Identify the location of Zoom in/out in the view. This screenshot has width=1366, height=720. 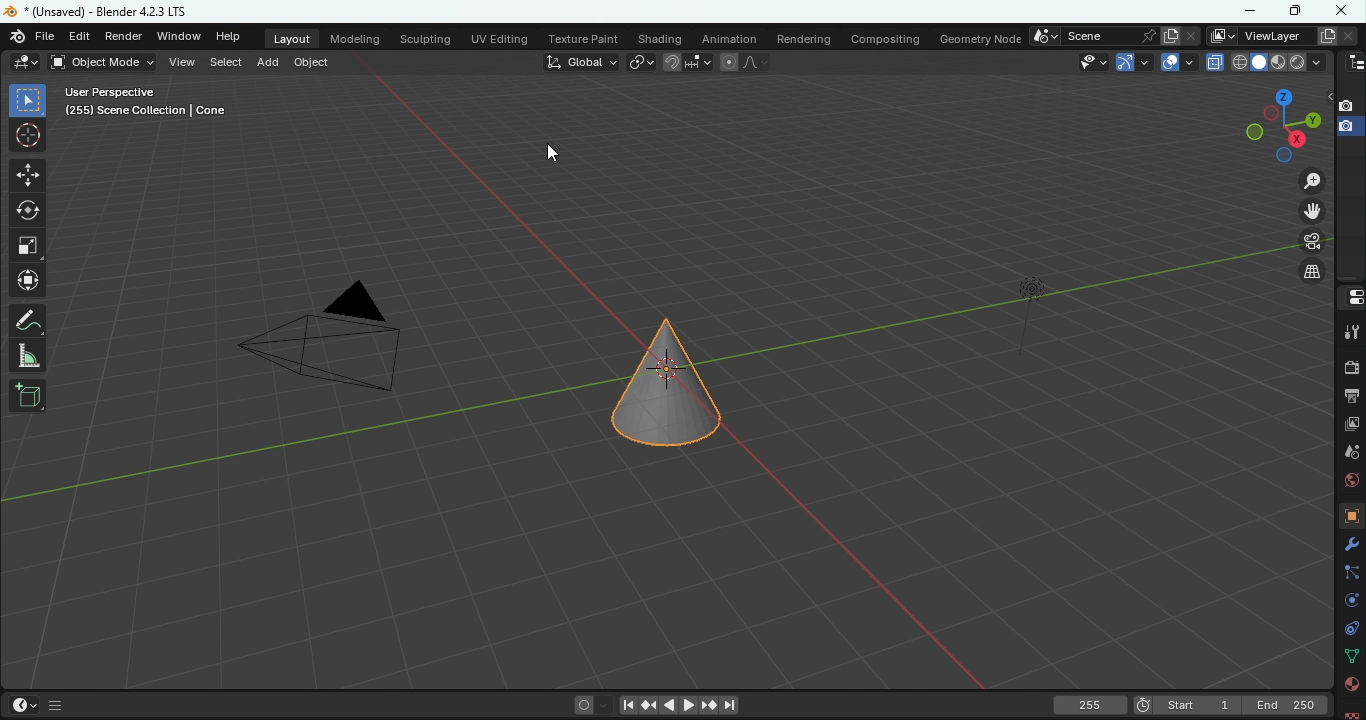
(1314, 180).